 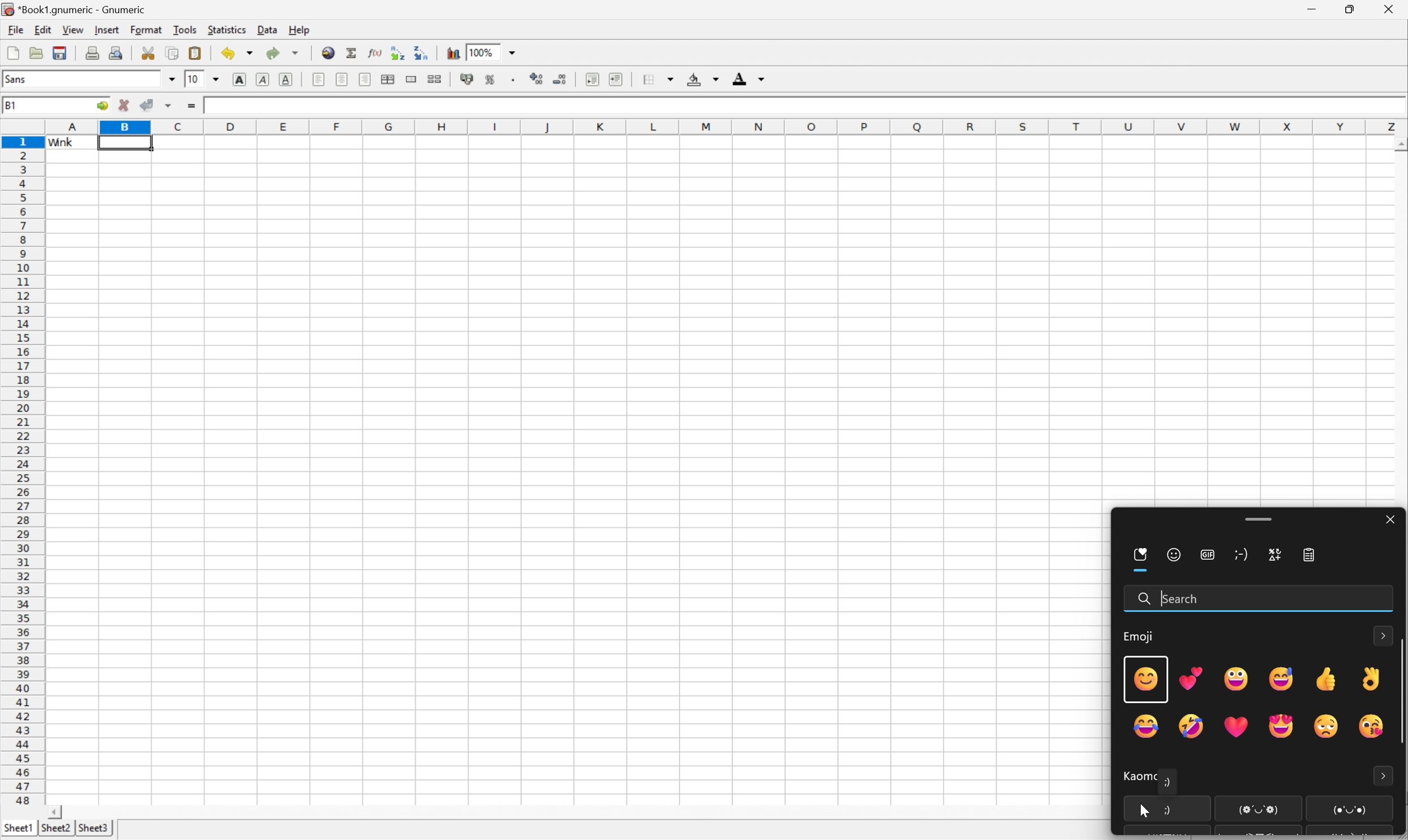 What do you see at coordinates (389, 78) in the screenshot?
I see `center horizontally` at bounding box center [389, 78].